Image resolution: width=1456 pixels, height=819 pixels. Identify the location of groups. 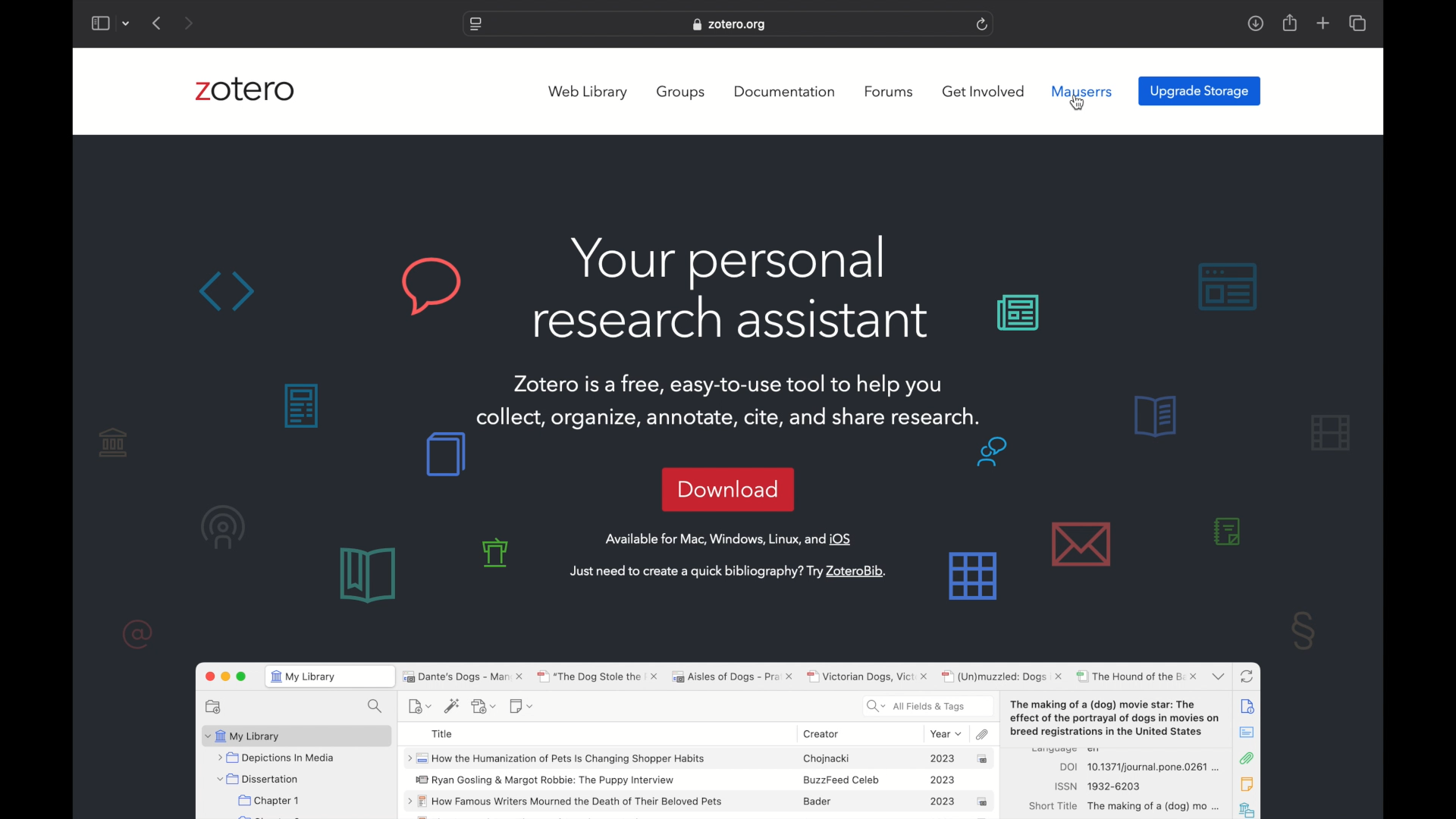
(682, 93).